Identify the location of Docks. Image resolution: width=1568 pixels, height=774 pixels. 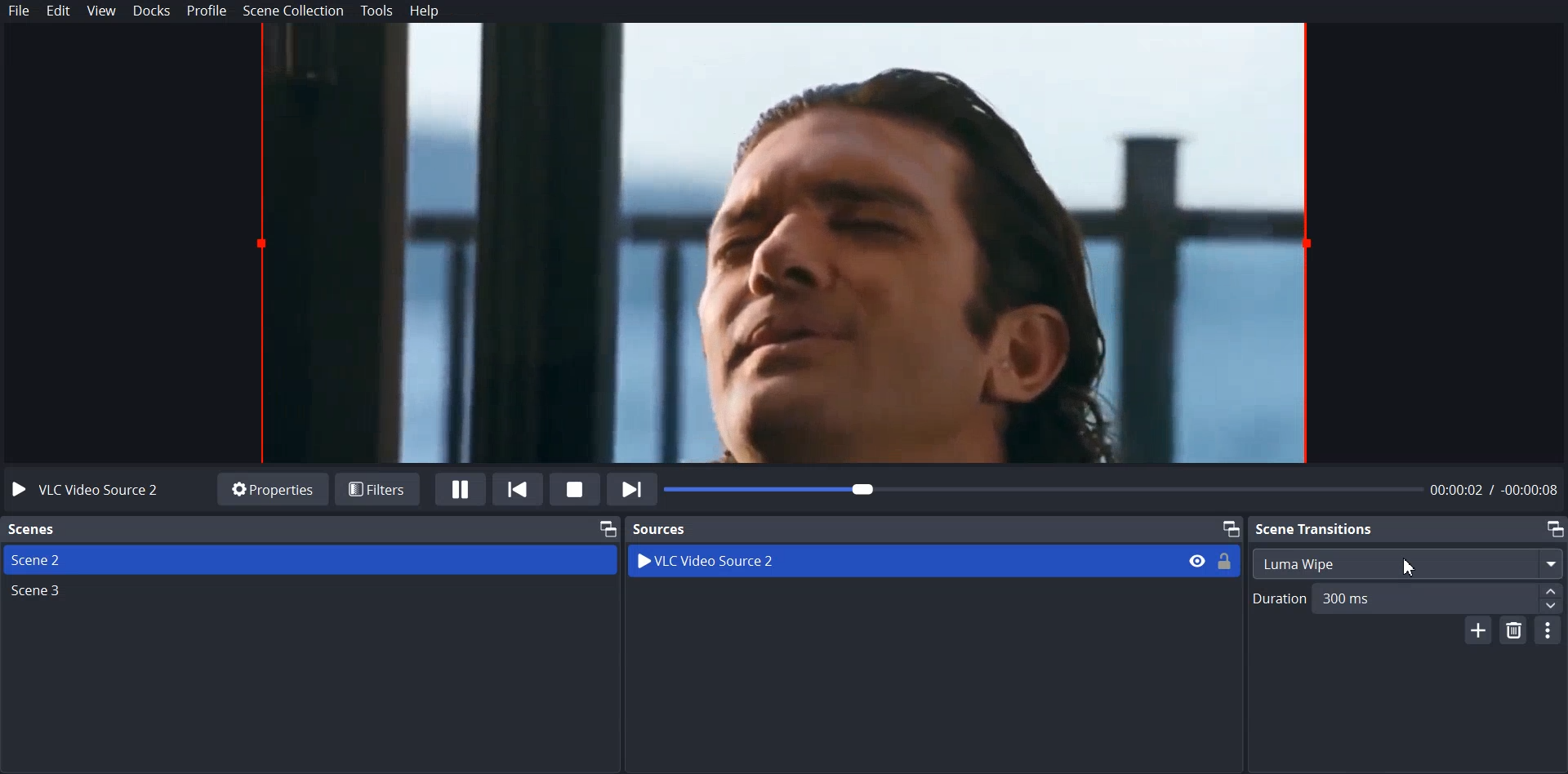
(153, 11).